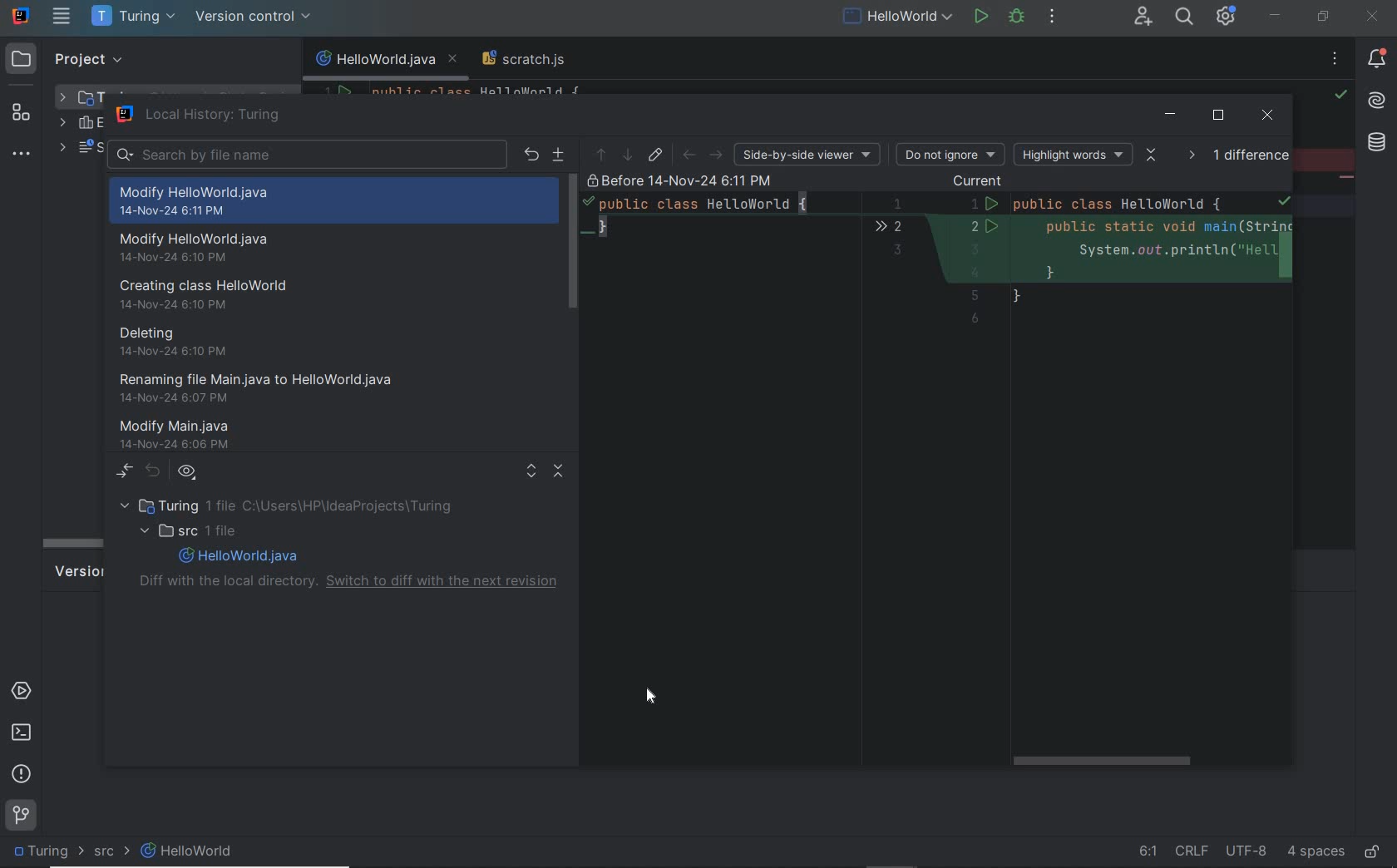  I want to click on string, so click(1346, 180).